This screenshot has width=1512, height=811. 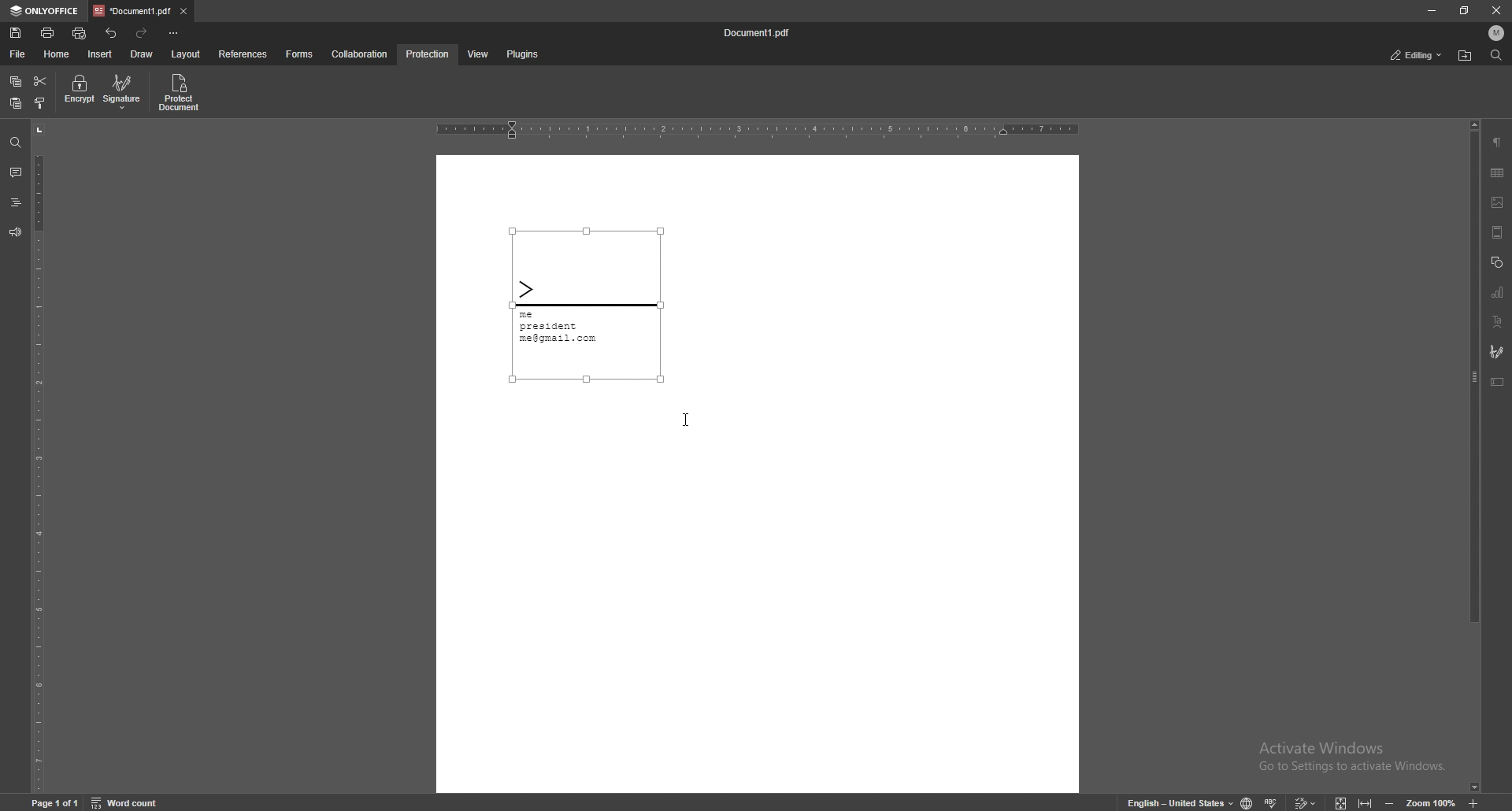 I want to click on change doc language, so click(x=1241, y=802).